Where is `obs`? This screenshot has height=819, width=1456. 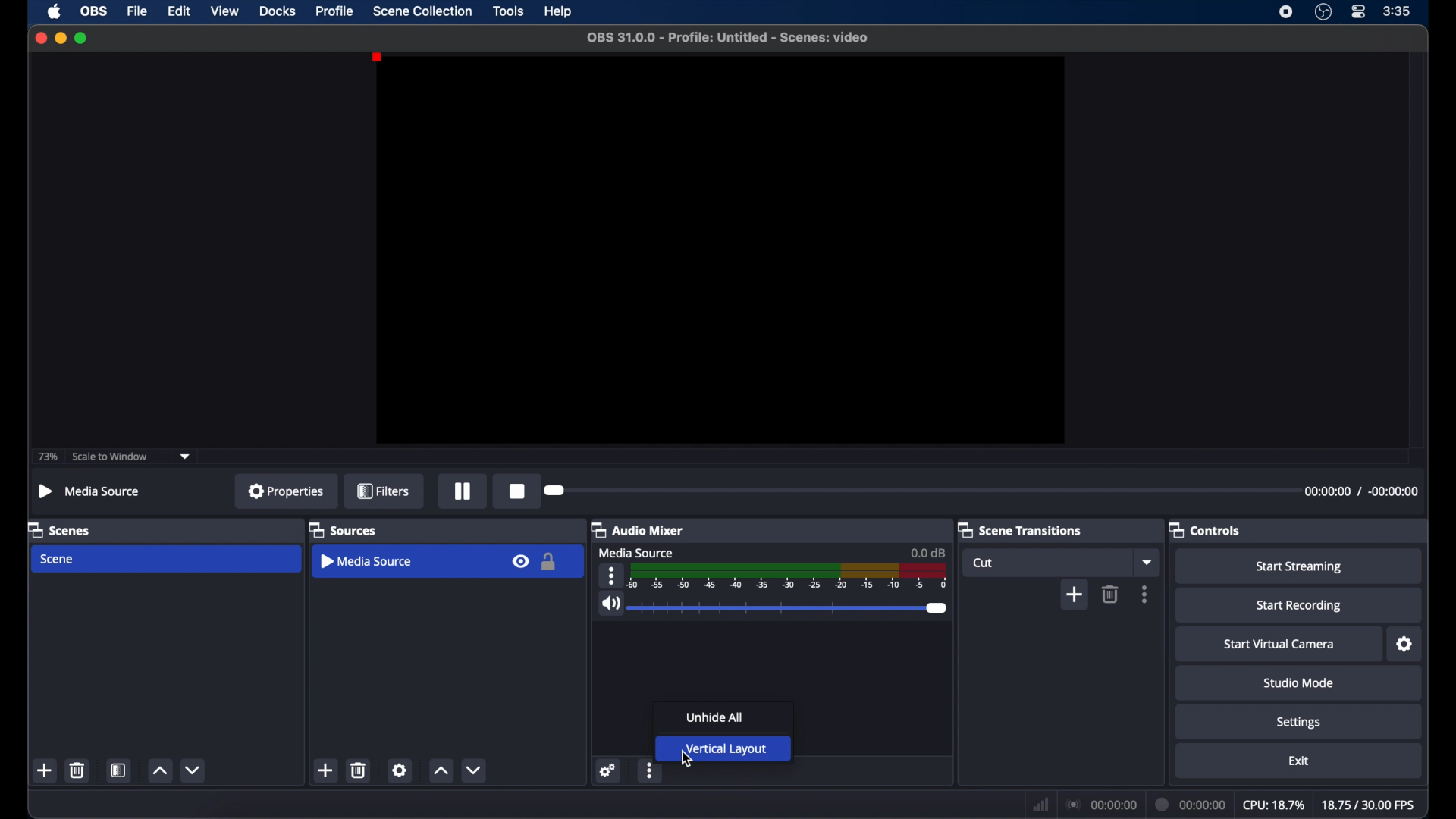
obs is located at coordinates (93, 11).